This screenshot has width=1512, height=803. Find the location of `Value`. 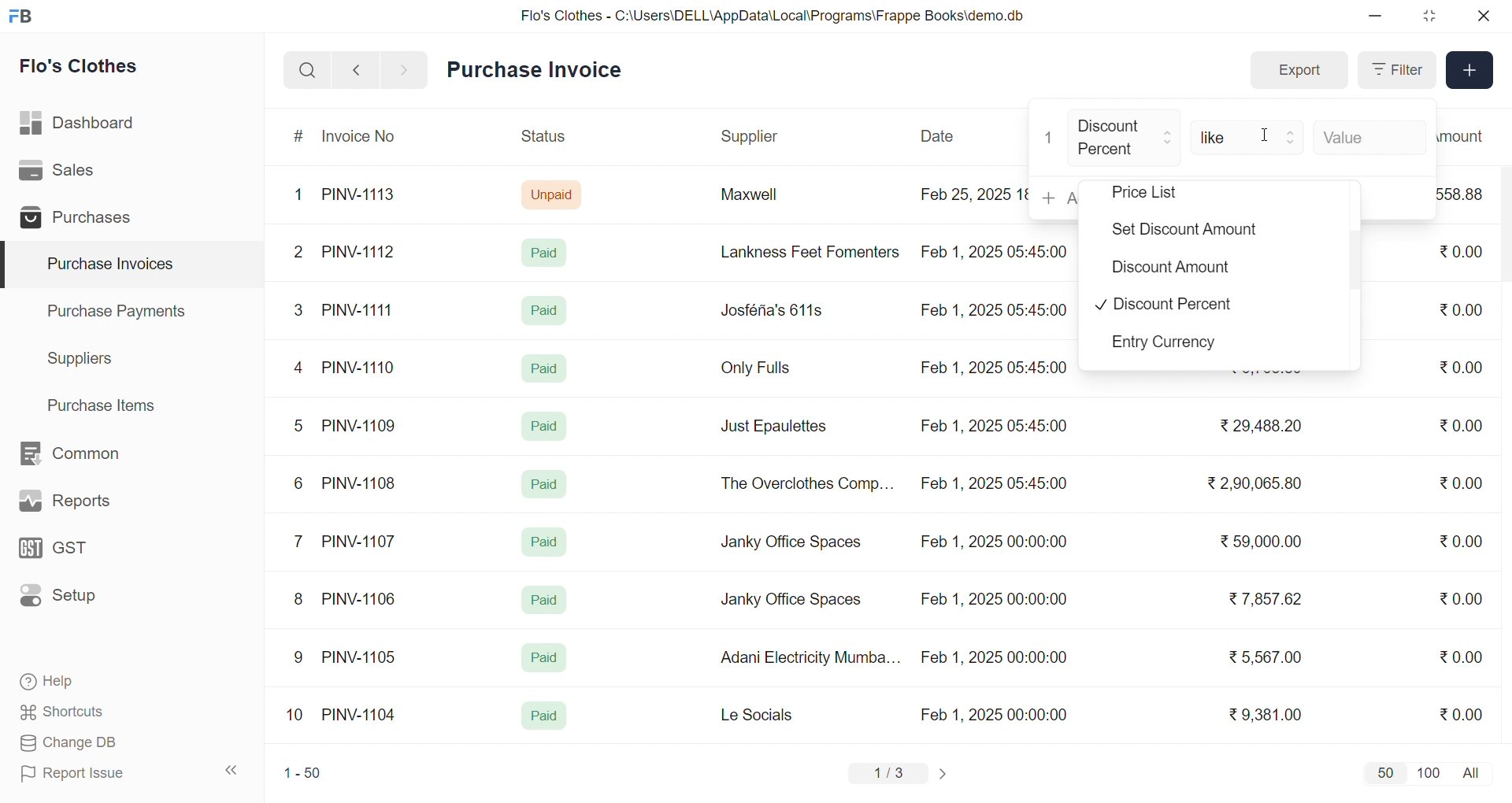

Value is located at coordinates (1369, 135).